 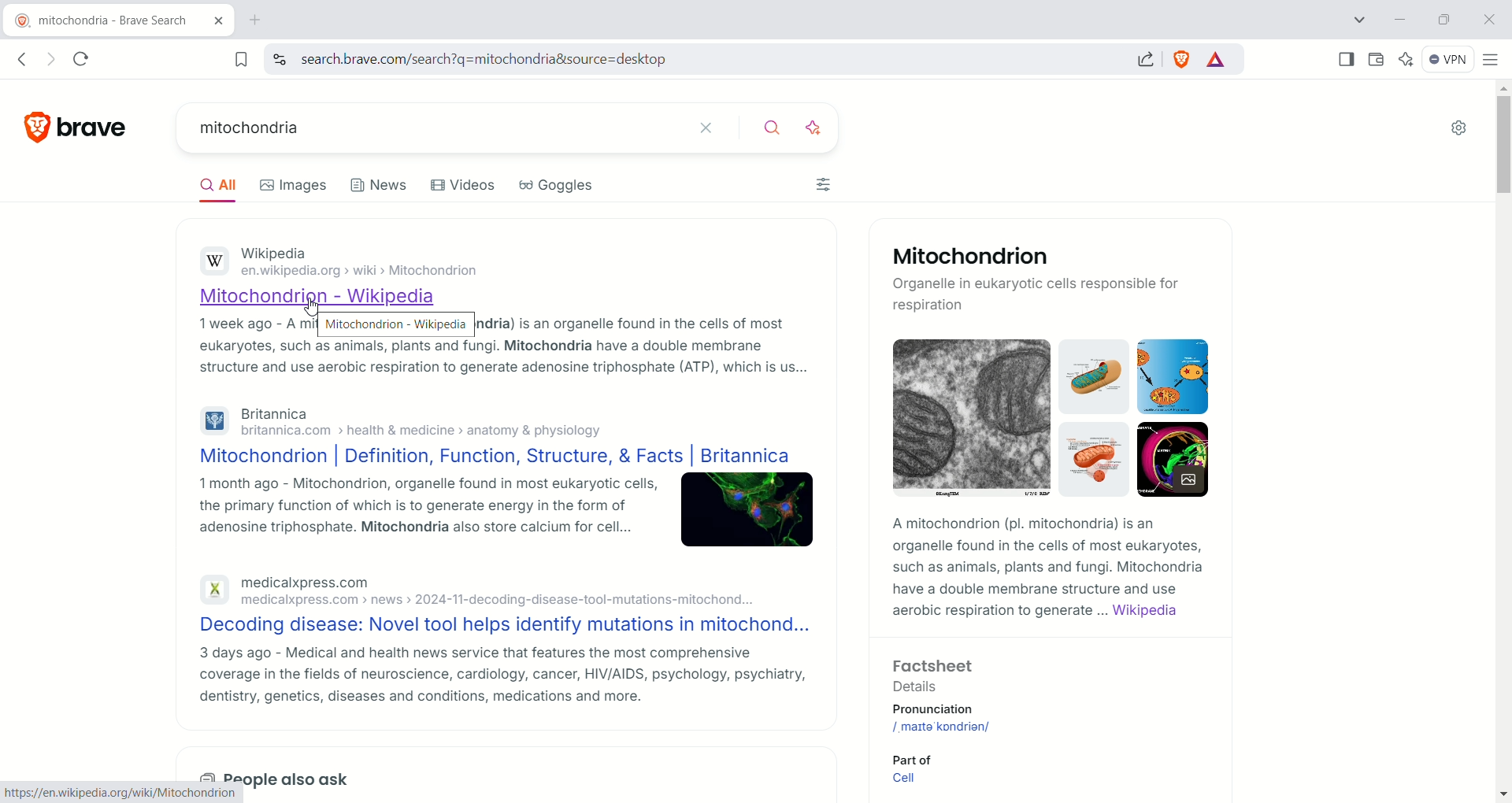 I want to click on reload, so click(x=83, y=58).